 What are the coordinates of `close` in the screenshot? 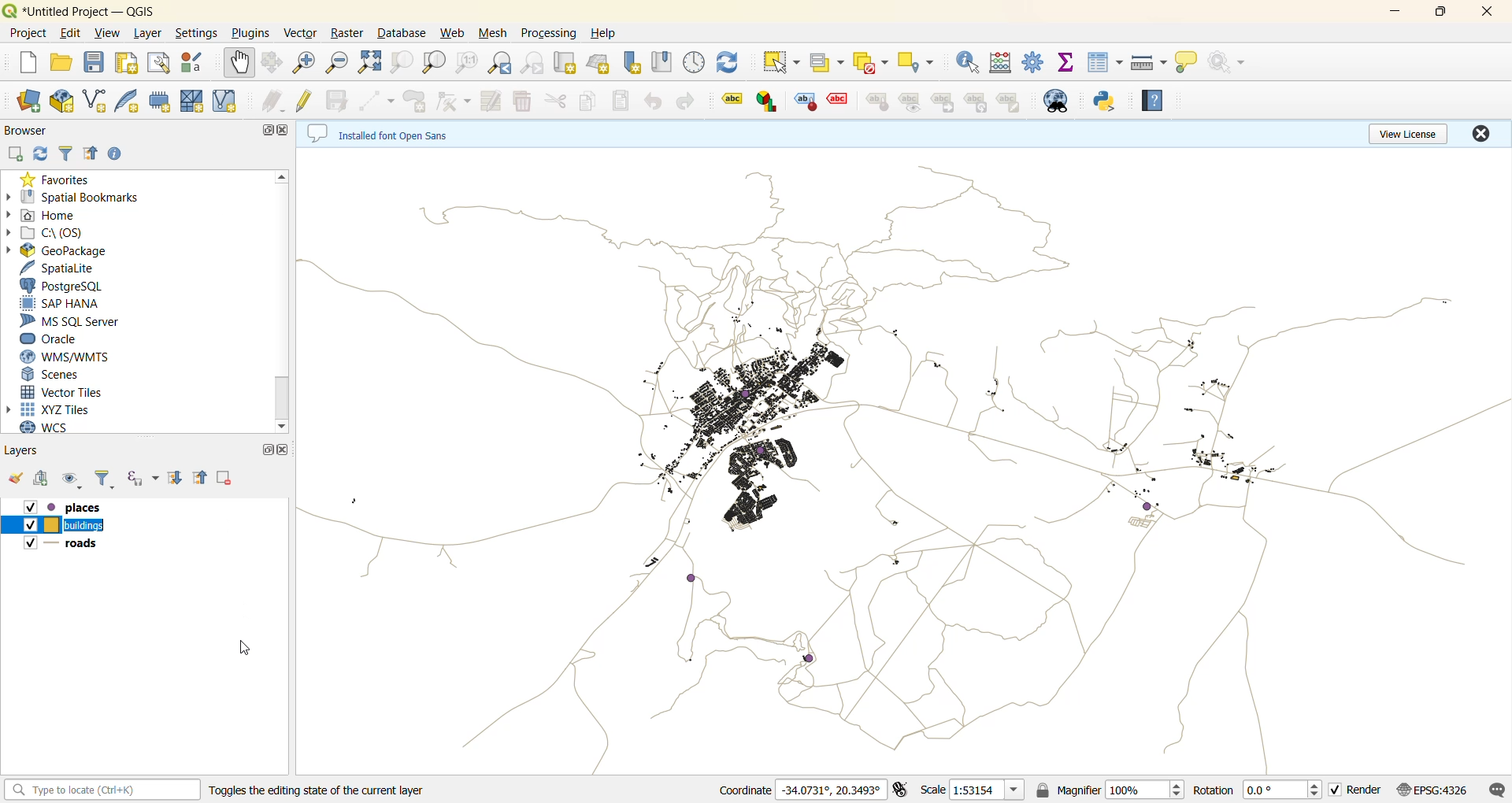 It's located at (286, 447).